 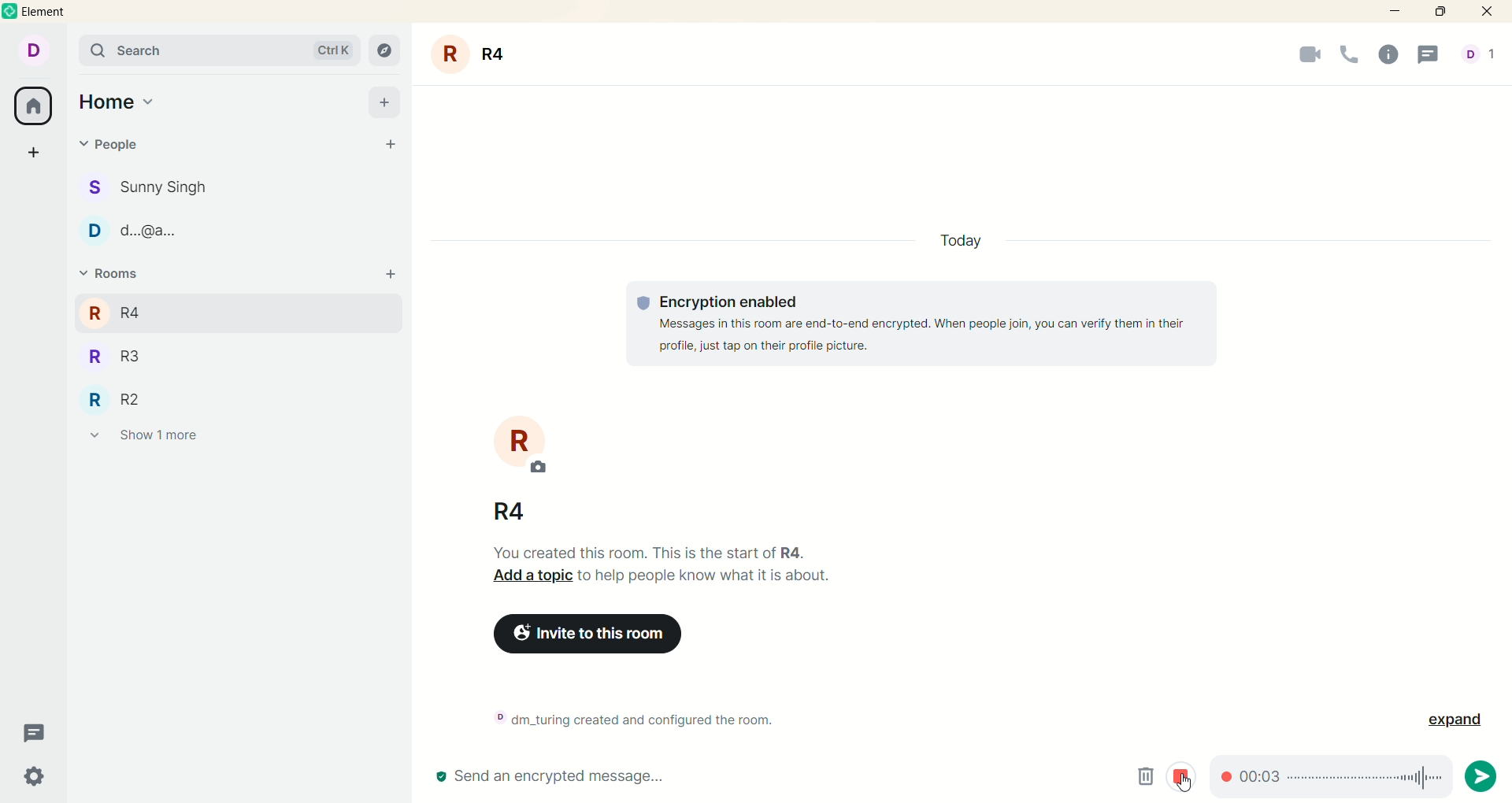 What do you see at coordinates (386, 50) in the screenshot?
I see `explore rooms` at bounding box center [386, 50].